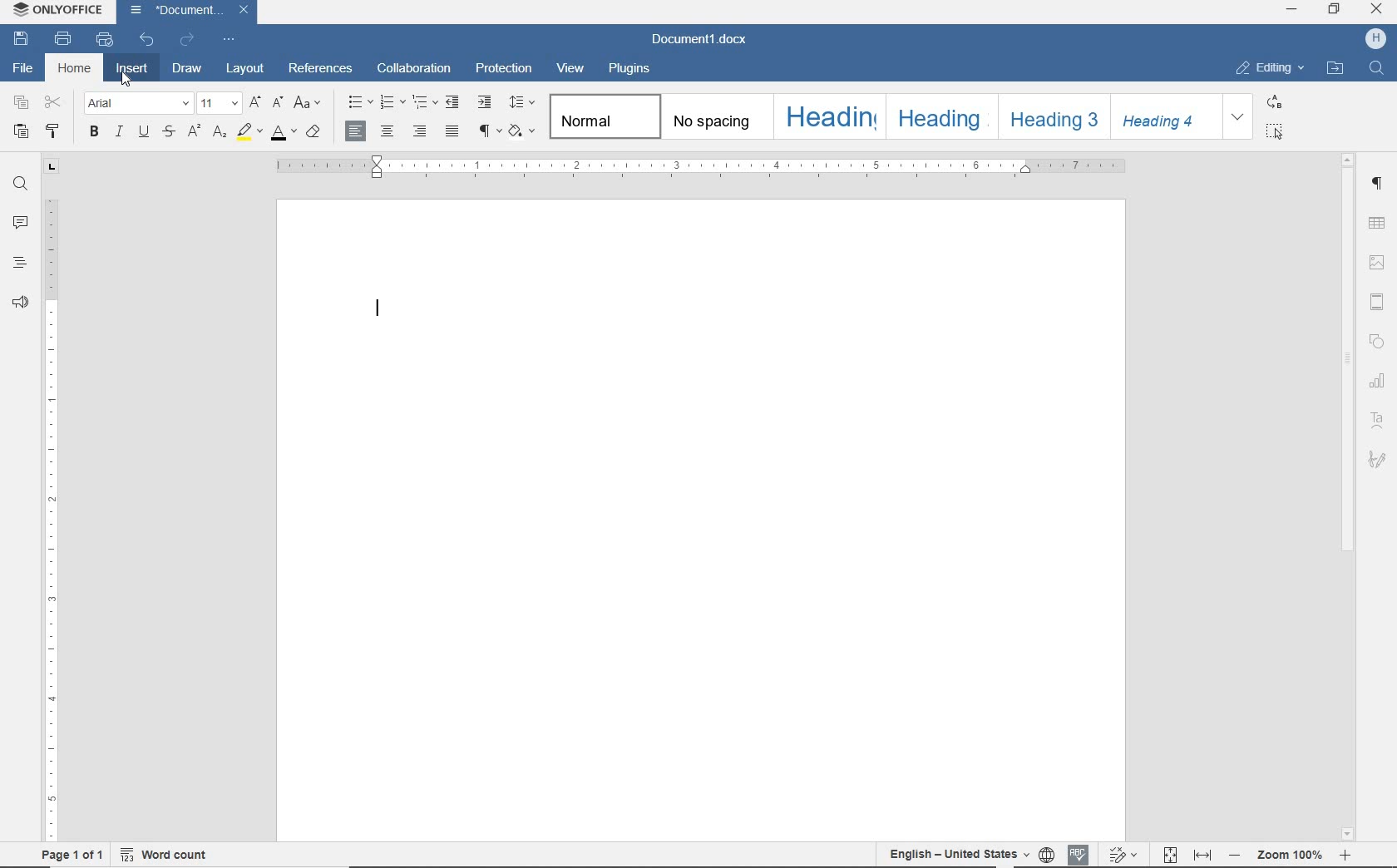  What do you see at coordinates (53, 11) in the screenshot?
I see `ONLYOFFICE (Application name)` at bounding box center [53, 11].